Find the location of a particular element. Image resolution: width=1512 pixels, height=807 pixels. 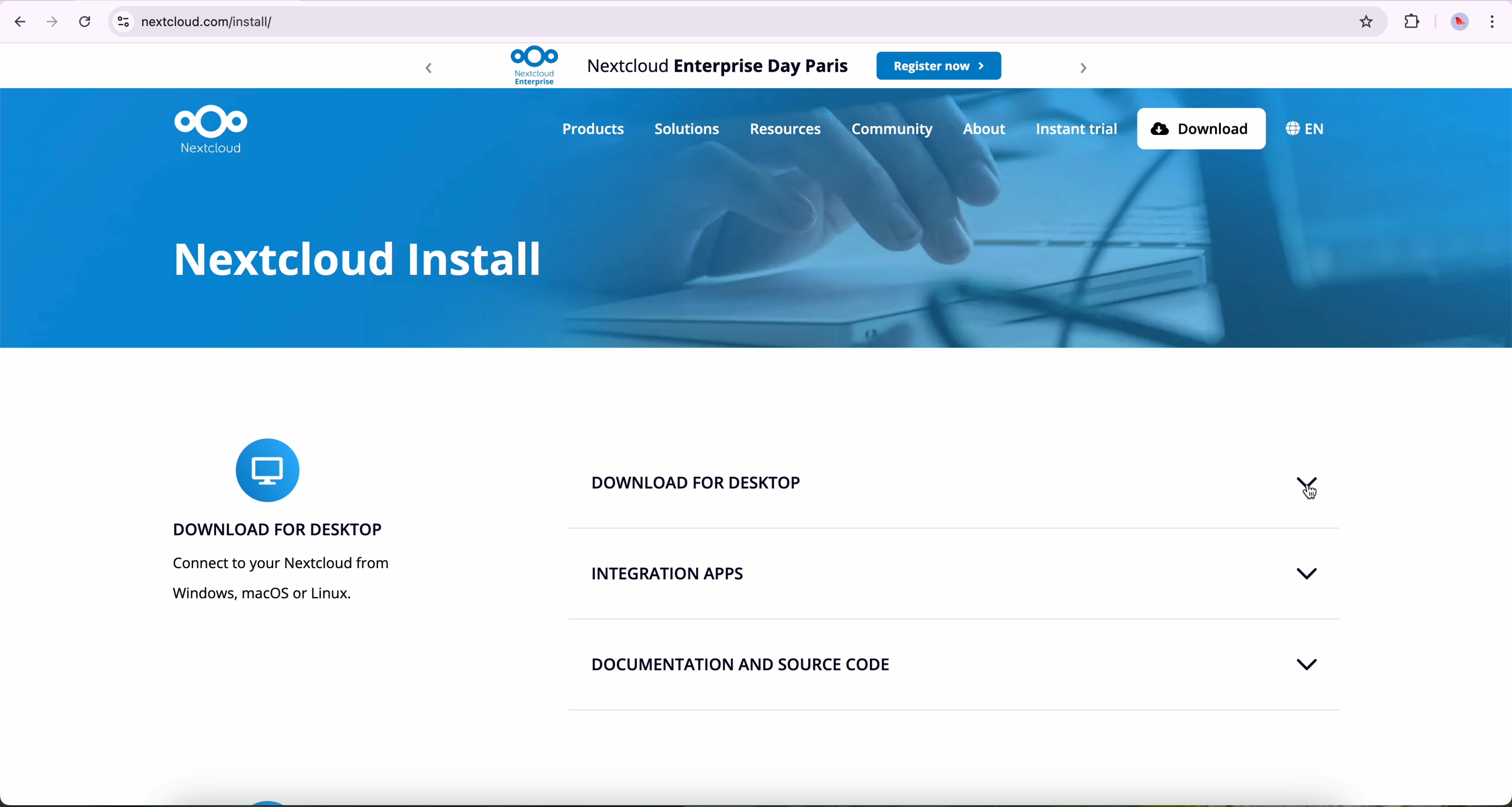

download for desktop is located at coordinates (693, 483).